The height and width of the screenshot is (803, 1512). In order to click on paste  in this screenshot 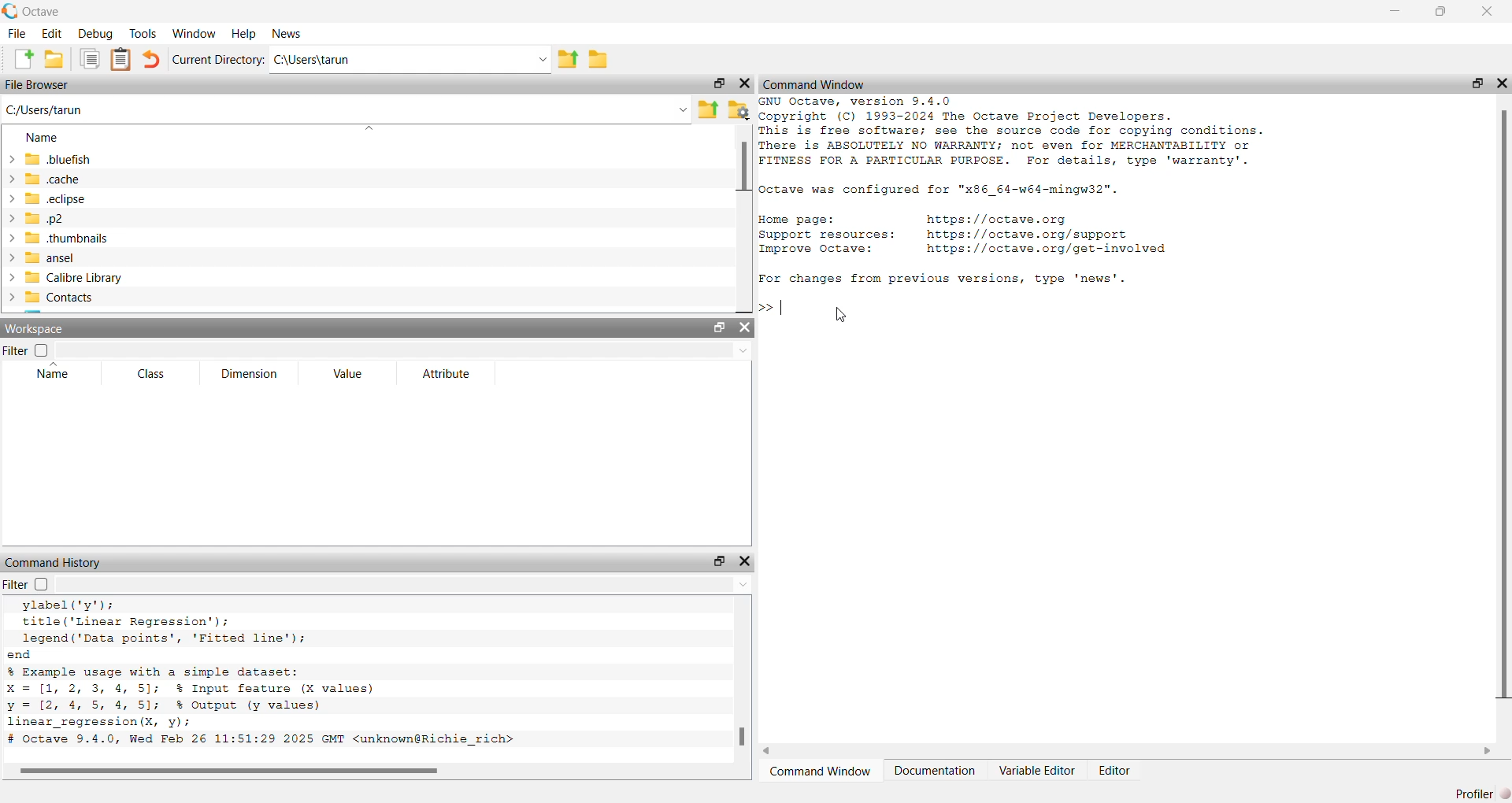, I will do `click(123, 60)`.